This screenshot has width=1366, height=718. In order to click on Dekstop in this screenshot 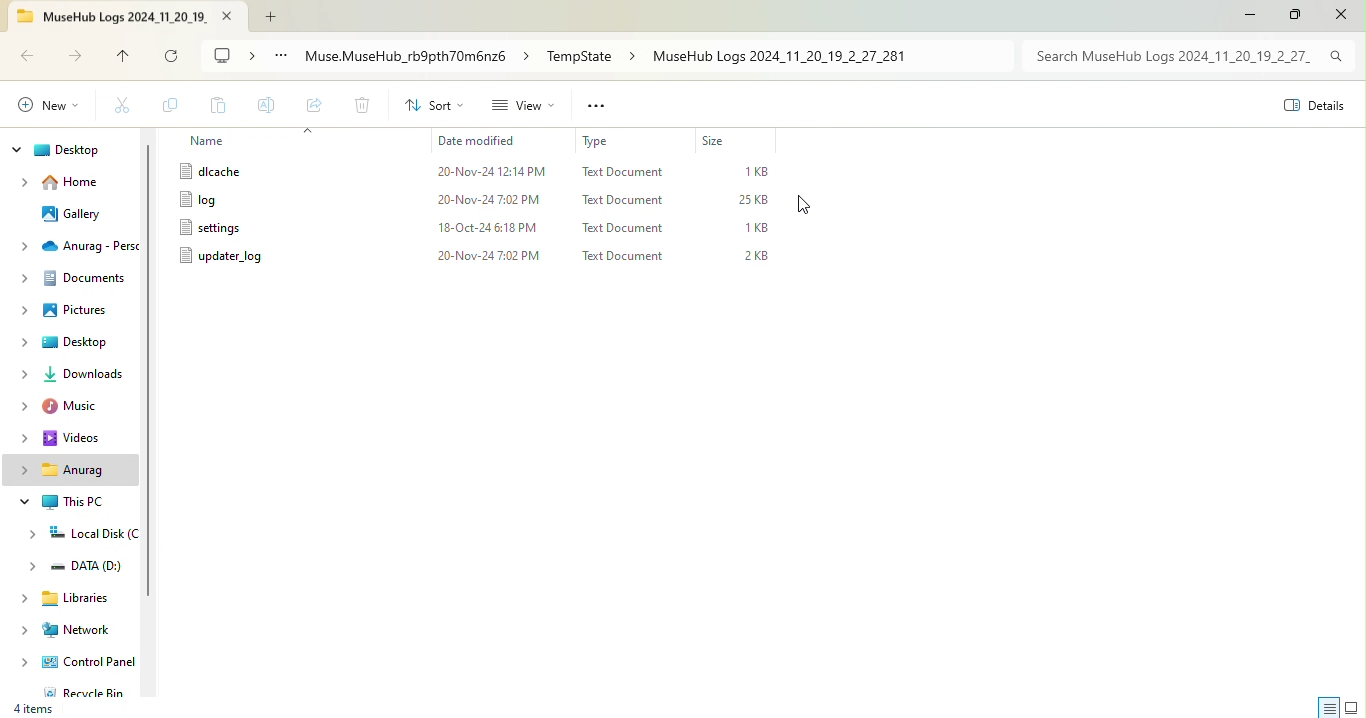, I will do `click(51, 151)`.